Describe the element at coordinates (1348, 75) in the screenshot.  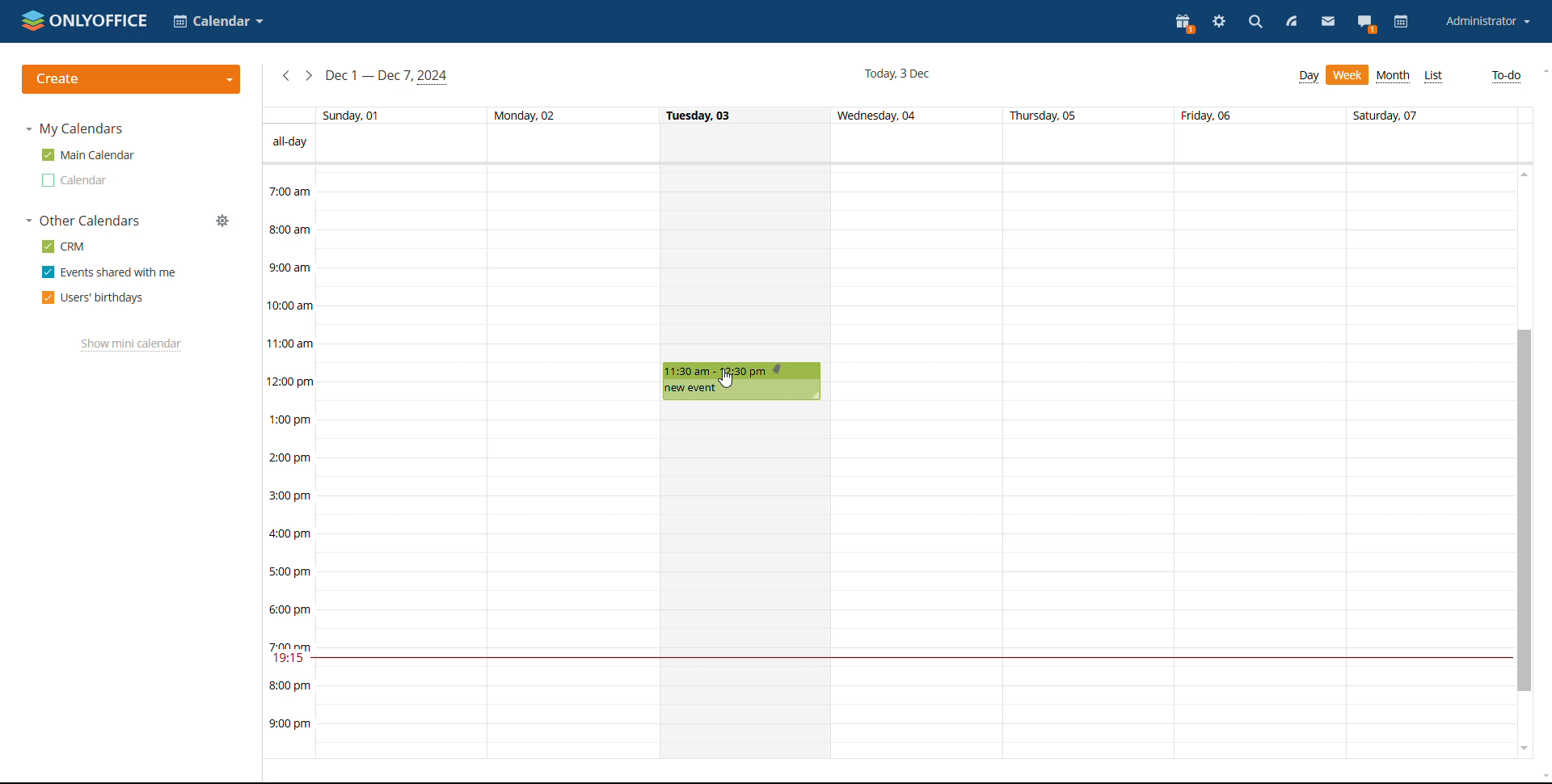
I see `Week` at that location.